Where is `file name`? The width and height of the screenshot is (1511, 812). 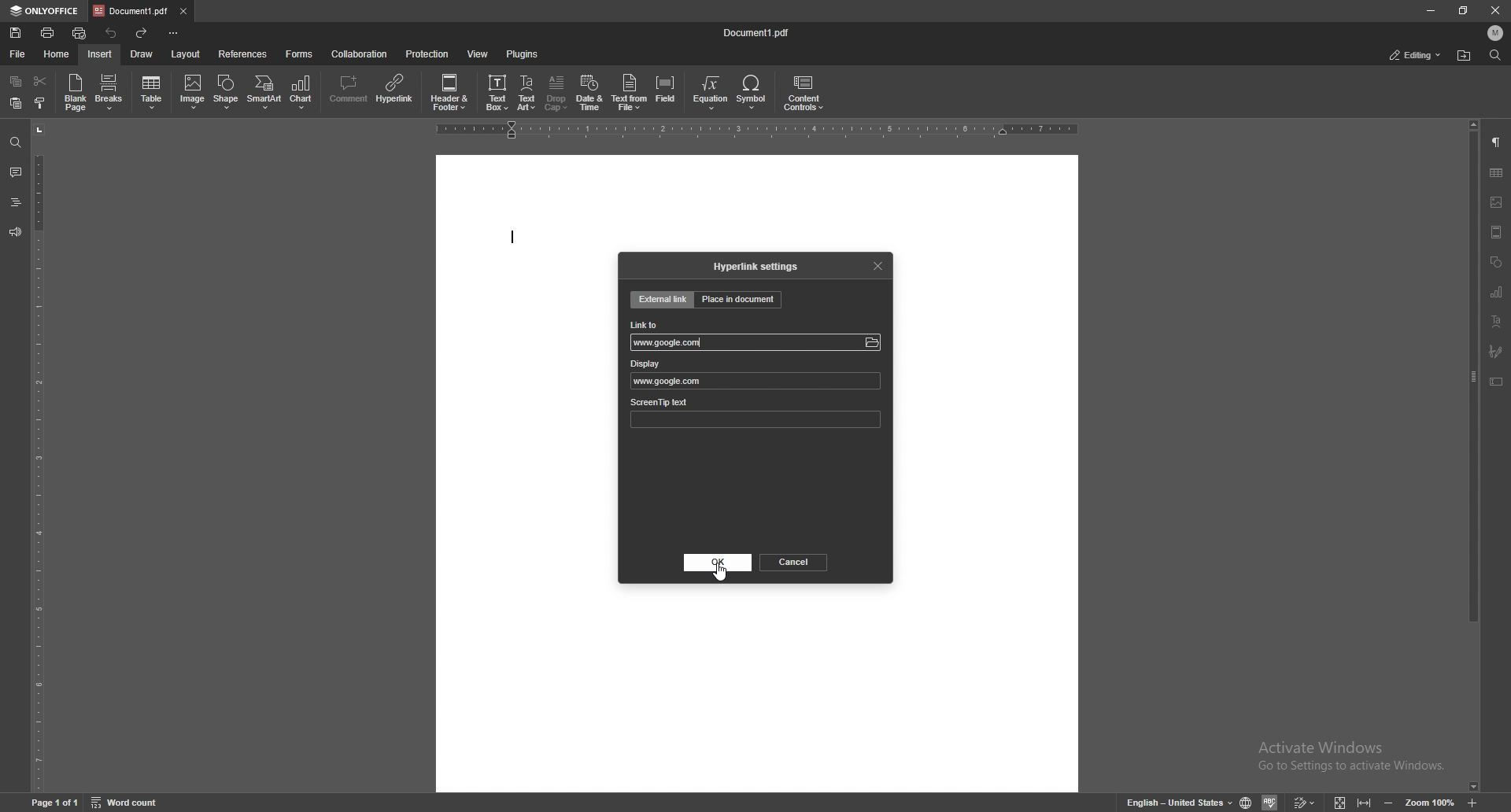
file name is located at coordinates (756, 32).